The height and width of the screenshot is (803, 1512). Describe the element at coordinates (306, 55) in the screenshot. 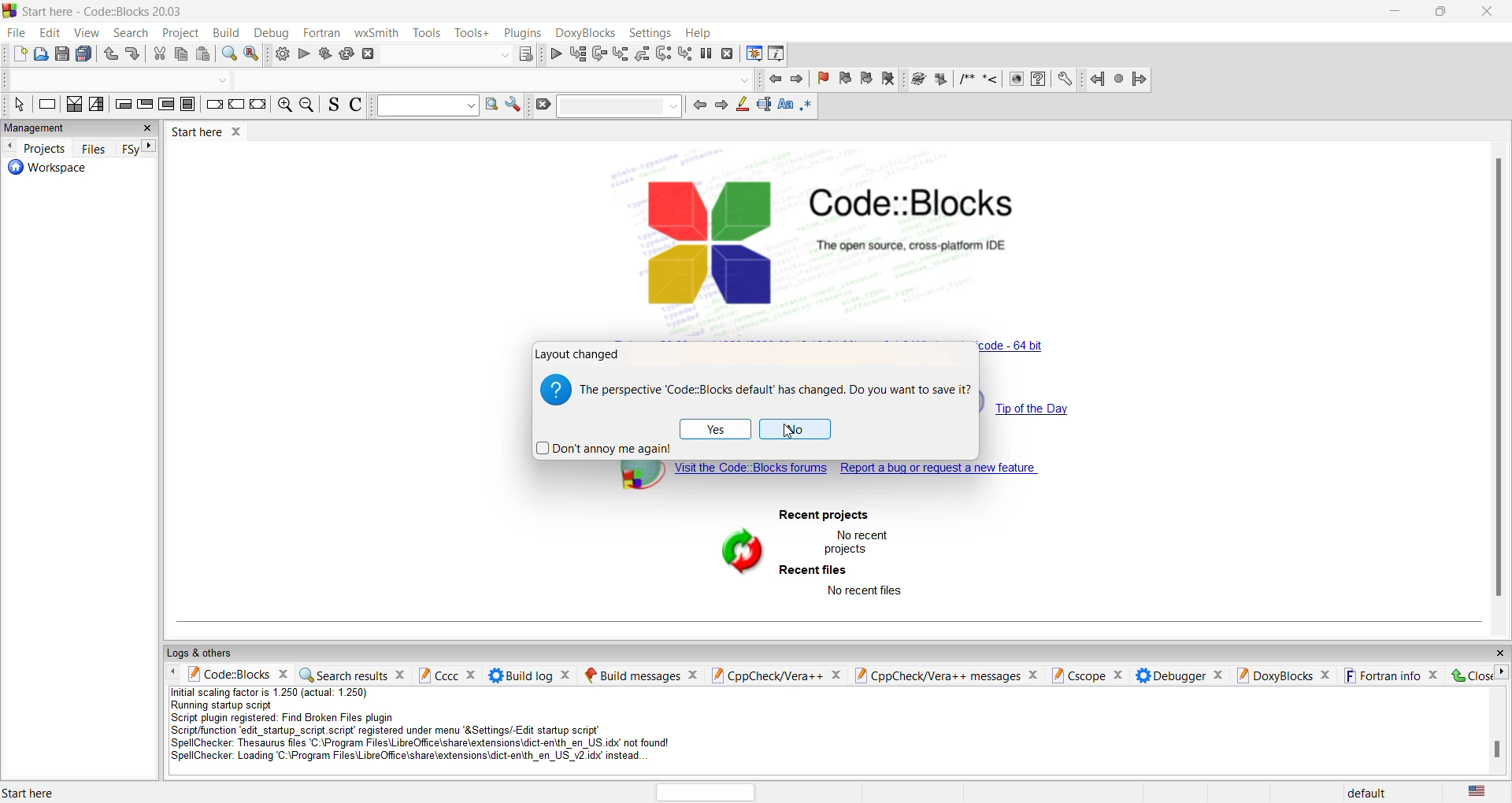

I see `run` at that location.